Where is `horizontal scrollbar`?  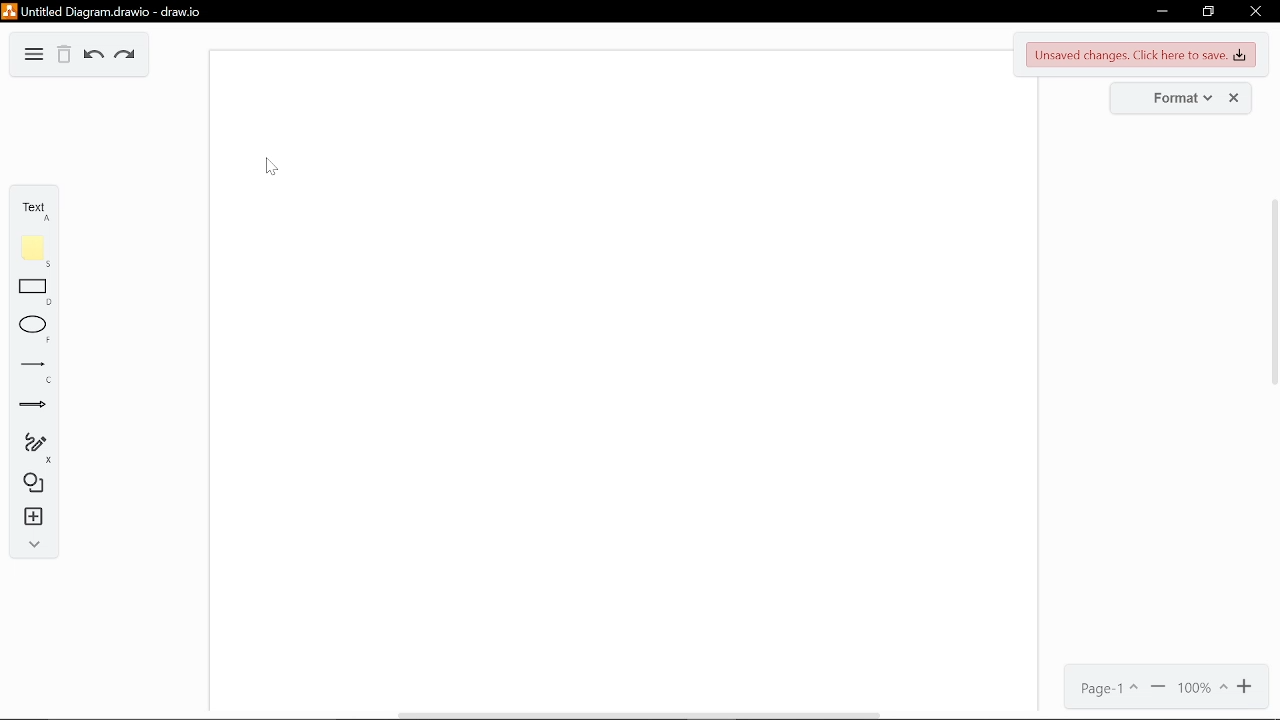
horizontal scrollbar is located at coordinates (638, 715).